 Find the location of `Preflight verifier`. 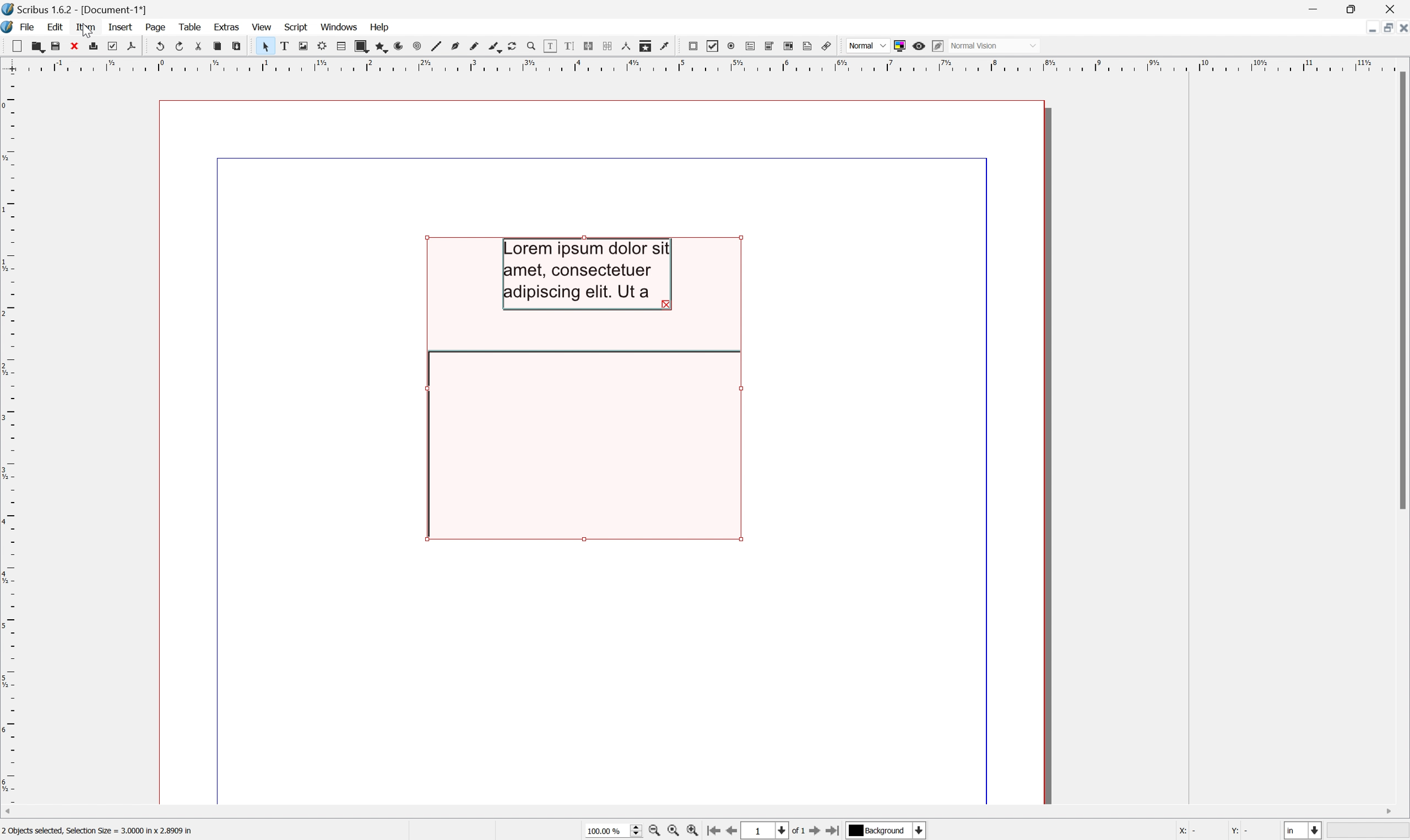

Preflight verifier is located at coordinates (112, 47).